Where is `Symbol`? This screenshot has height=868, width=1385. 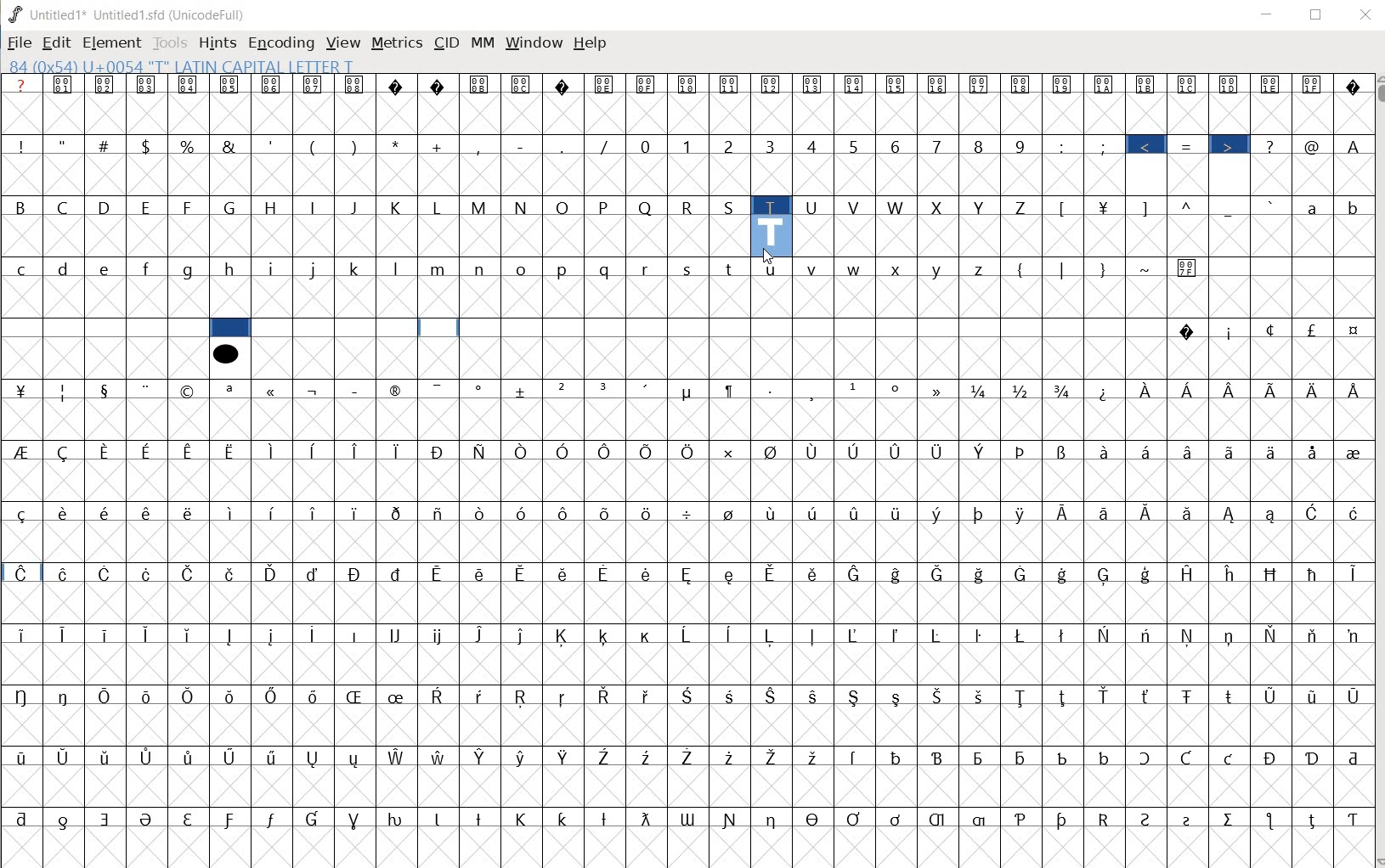 Symbol is located at coordinates (775, 634).